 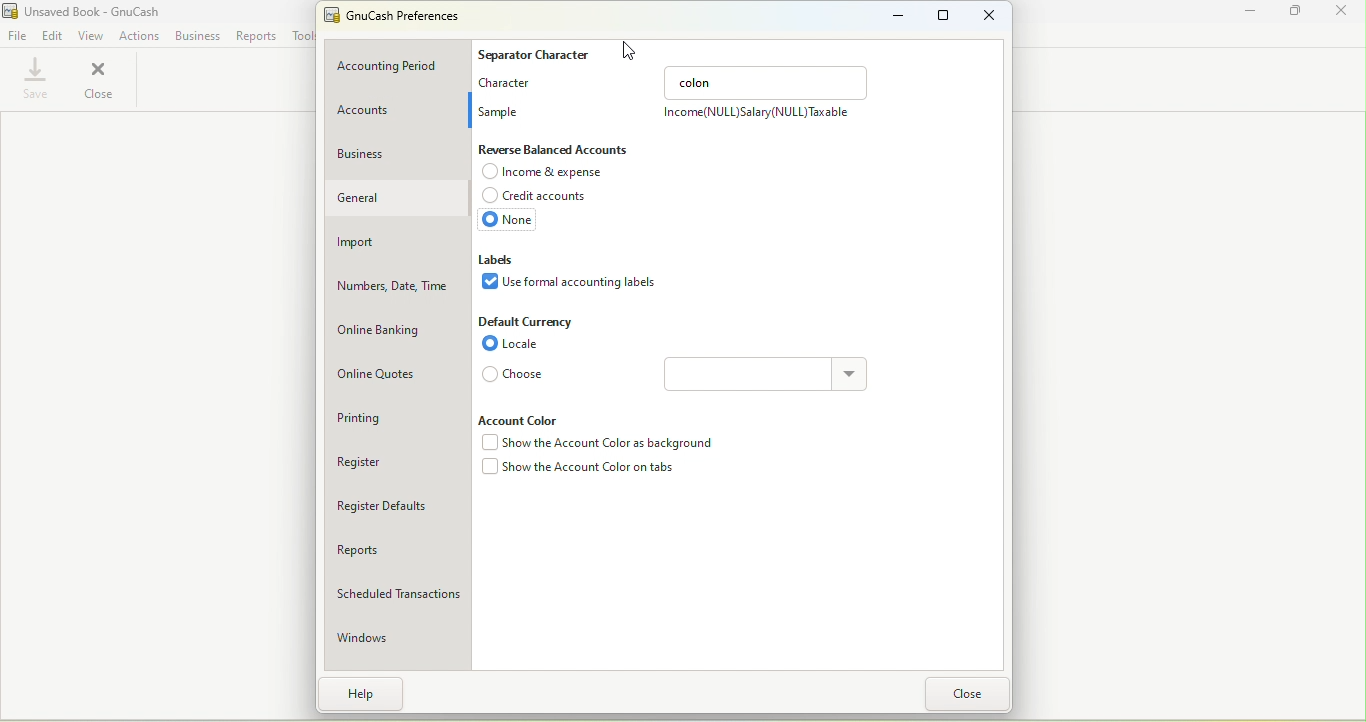 I want to click on Locale, so click(x=514, y=344).